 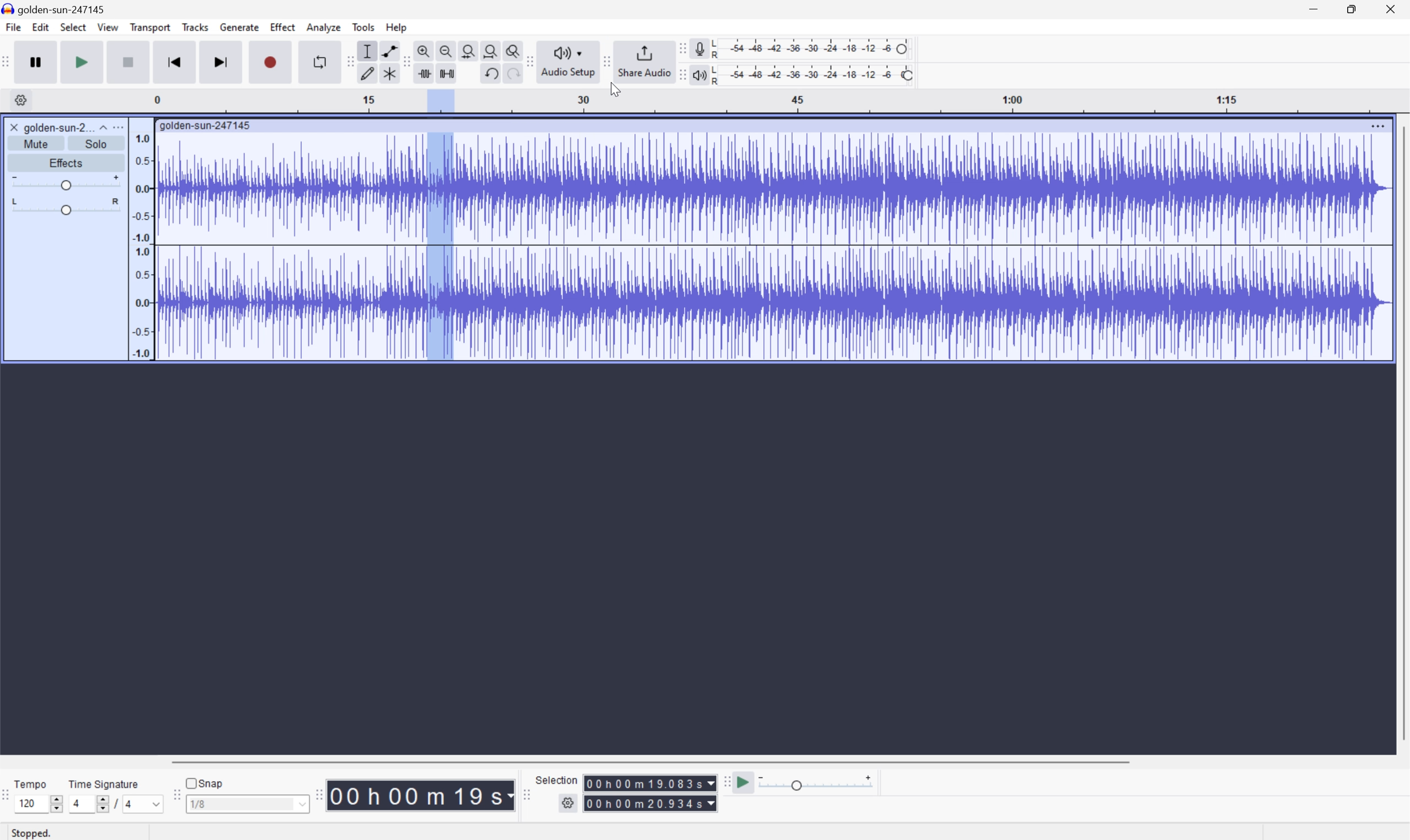 What do you see at coordinates (114, 803) in the screenshot?
I see `/` at bounding box center [114, 803].